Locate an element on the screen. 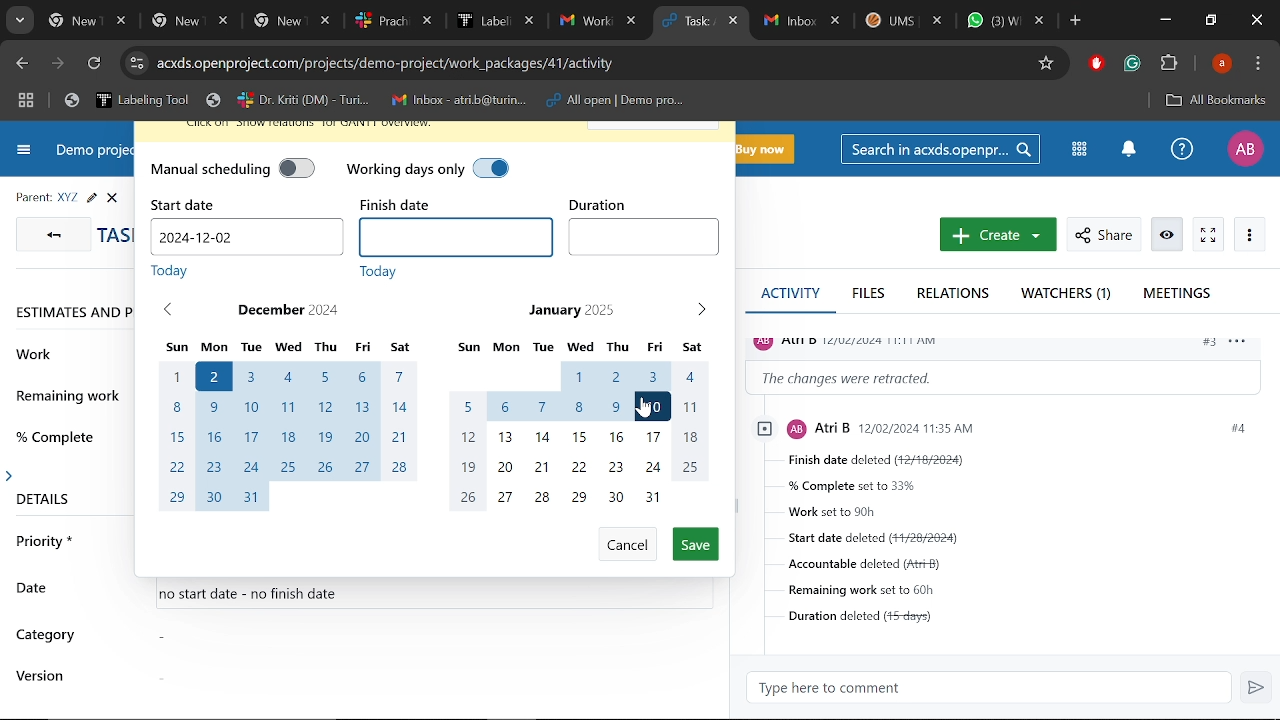 The image size is (1280, 720). Cursor is located at coordinates (641, 410).